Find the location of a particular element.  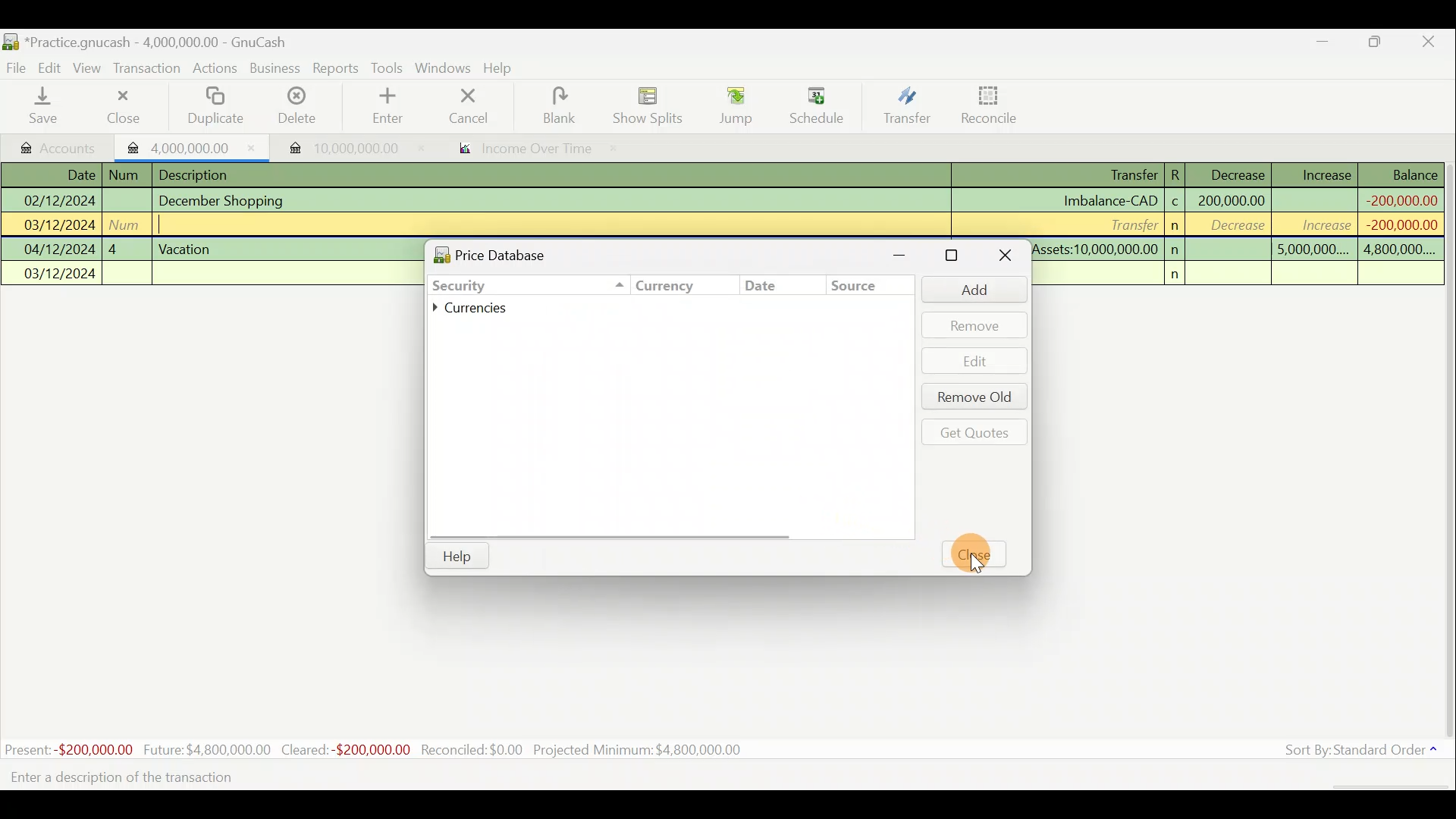

Balance is located at coordinates (1402, 174).